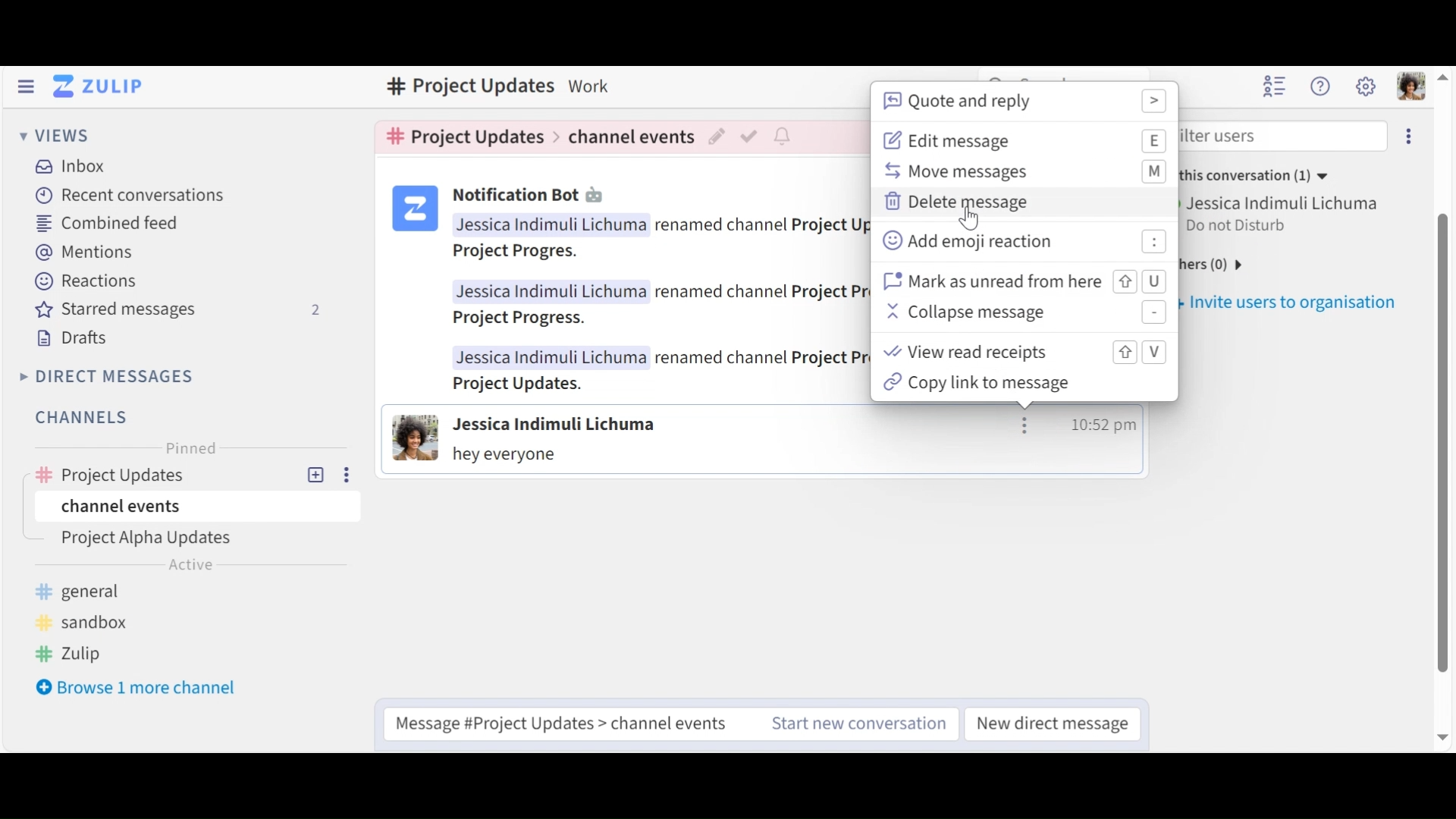  What do you see at coordinates (76, 165) in the screenshot?
I see `Inbox` at bounding box center [76, 165].